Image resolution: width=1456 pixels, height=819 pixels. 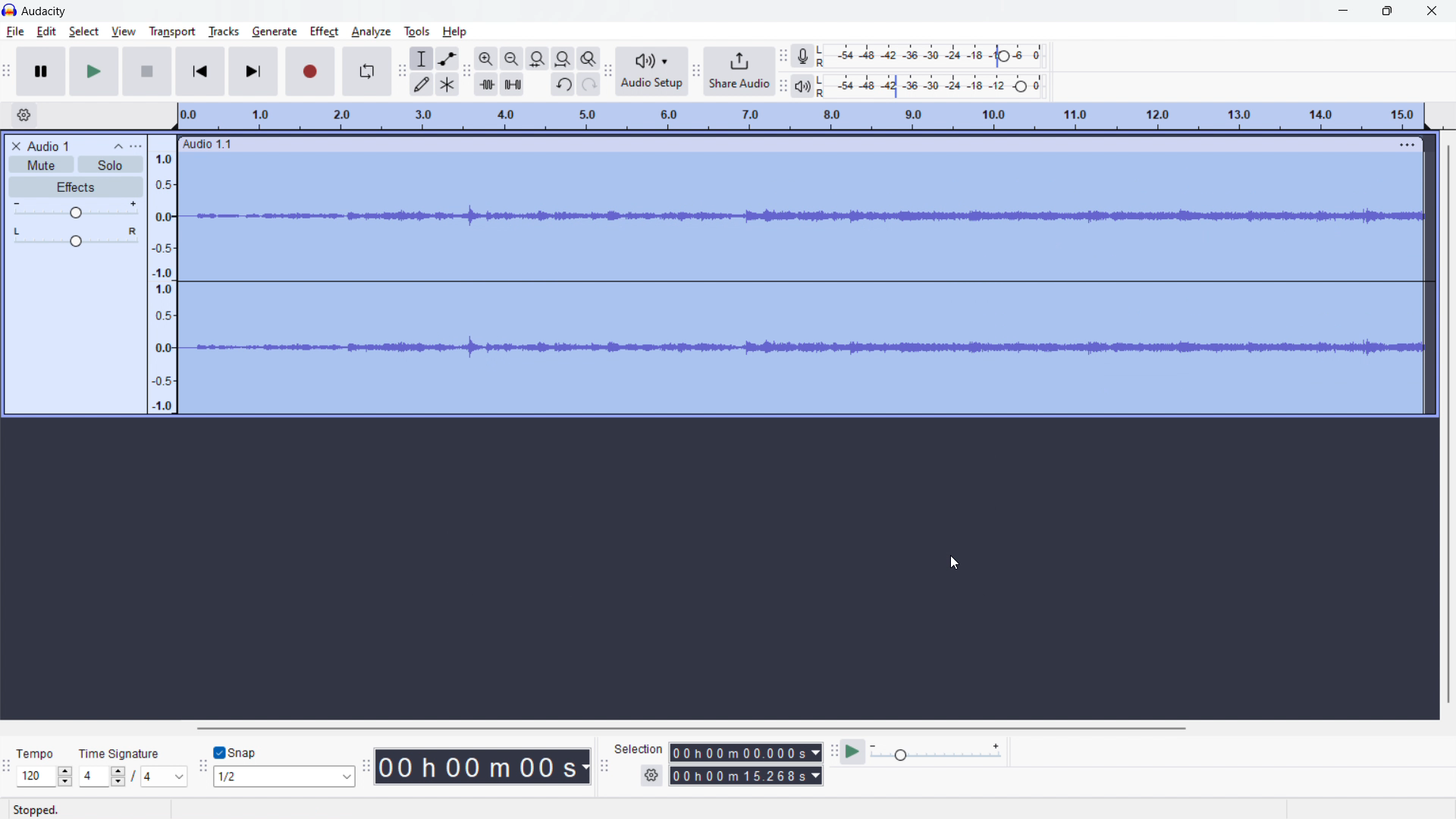 I want to click on toggle snap, so click(x=235, y=753).